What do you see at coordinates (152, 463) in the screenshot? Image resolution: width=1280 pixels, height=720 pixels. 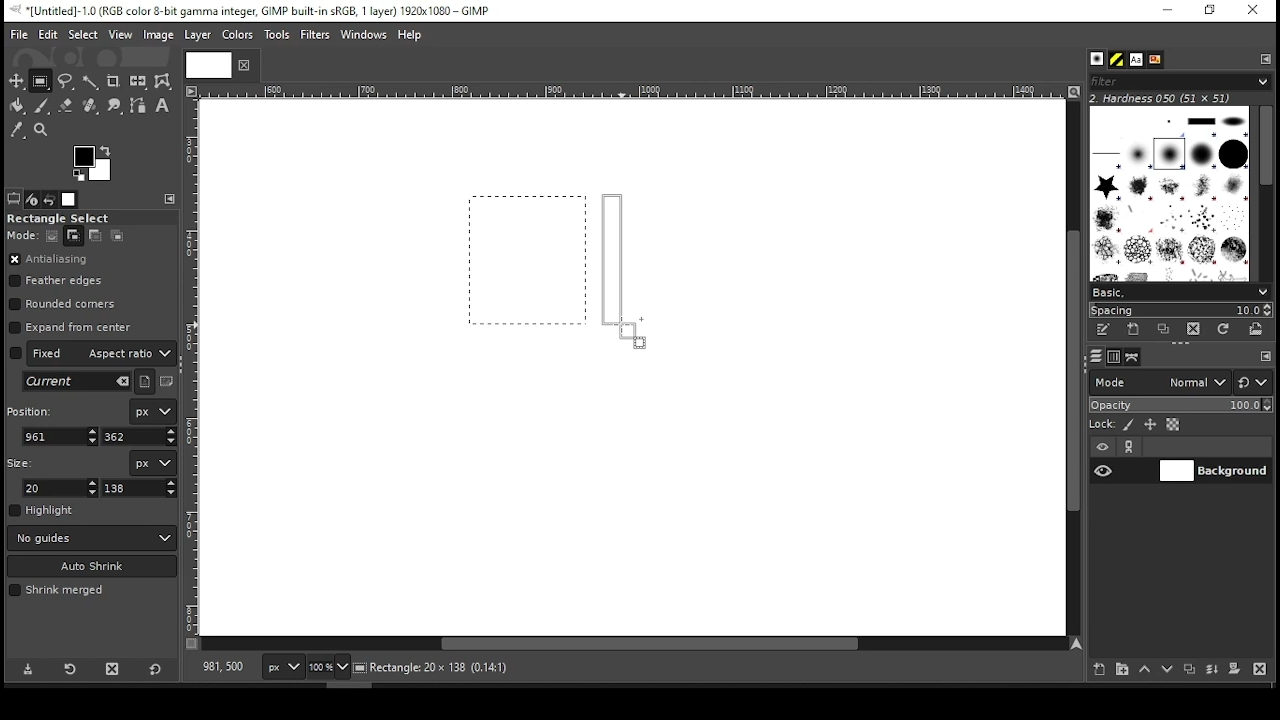 I see `units` at bounding box center [152, 463].